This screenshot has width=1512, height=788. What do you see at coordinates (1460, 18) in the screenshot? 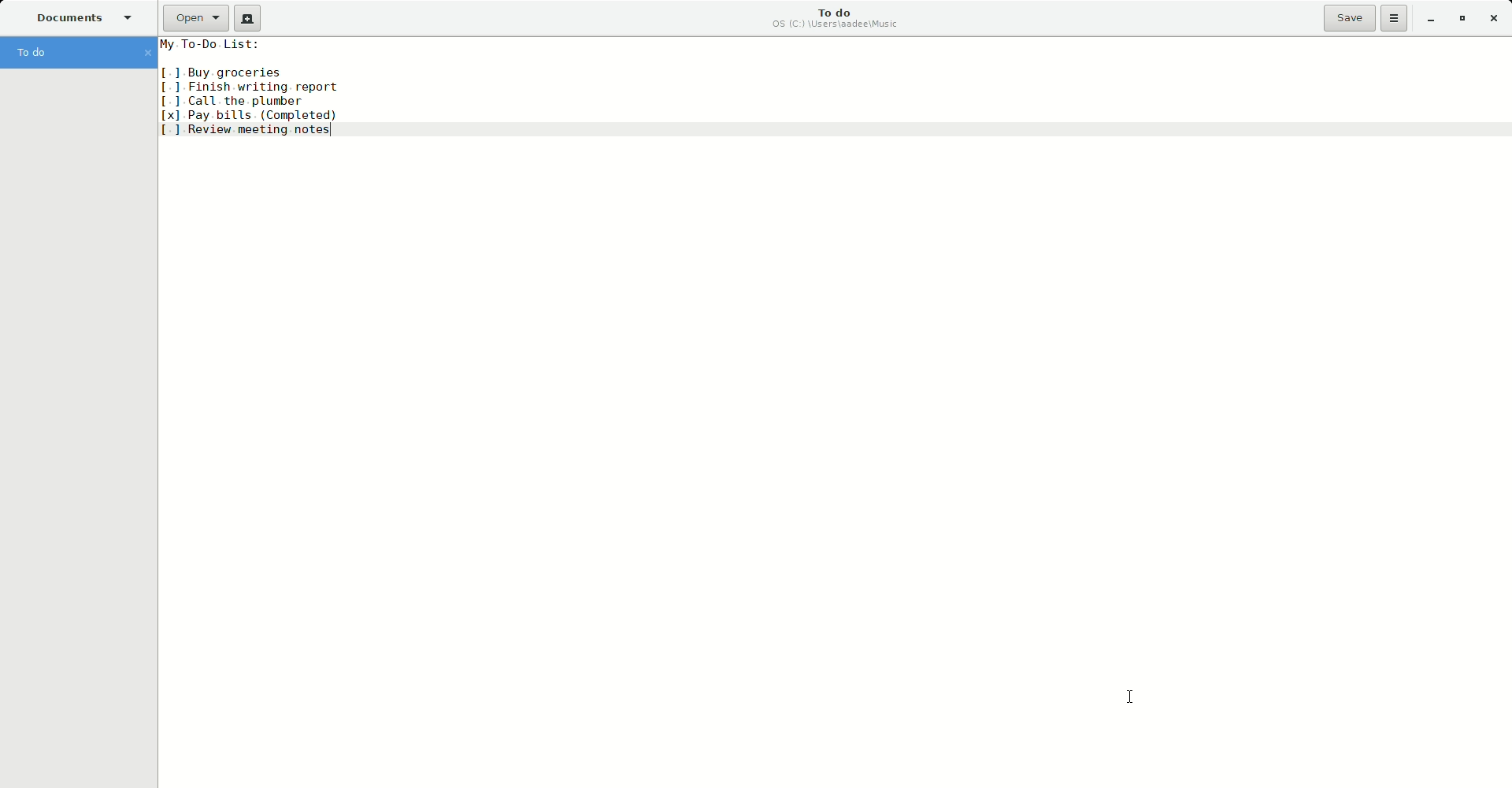
I see `Restore` at bounding box center [1460, 18].